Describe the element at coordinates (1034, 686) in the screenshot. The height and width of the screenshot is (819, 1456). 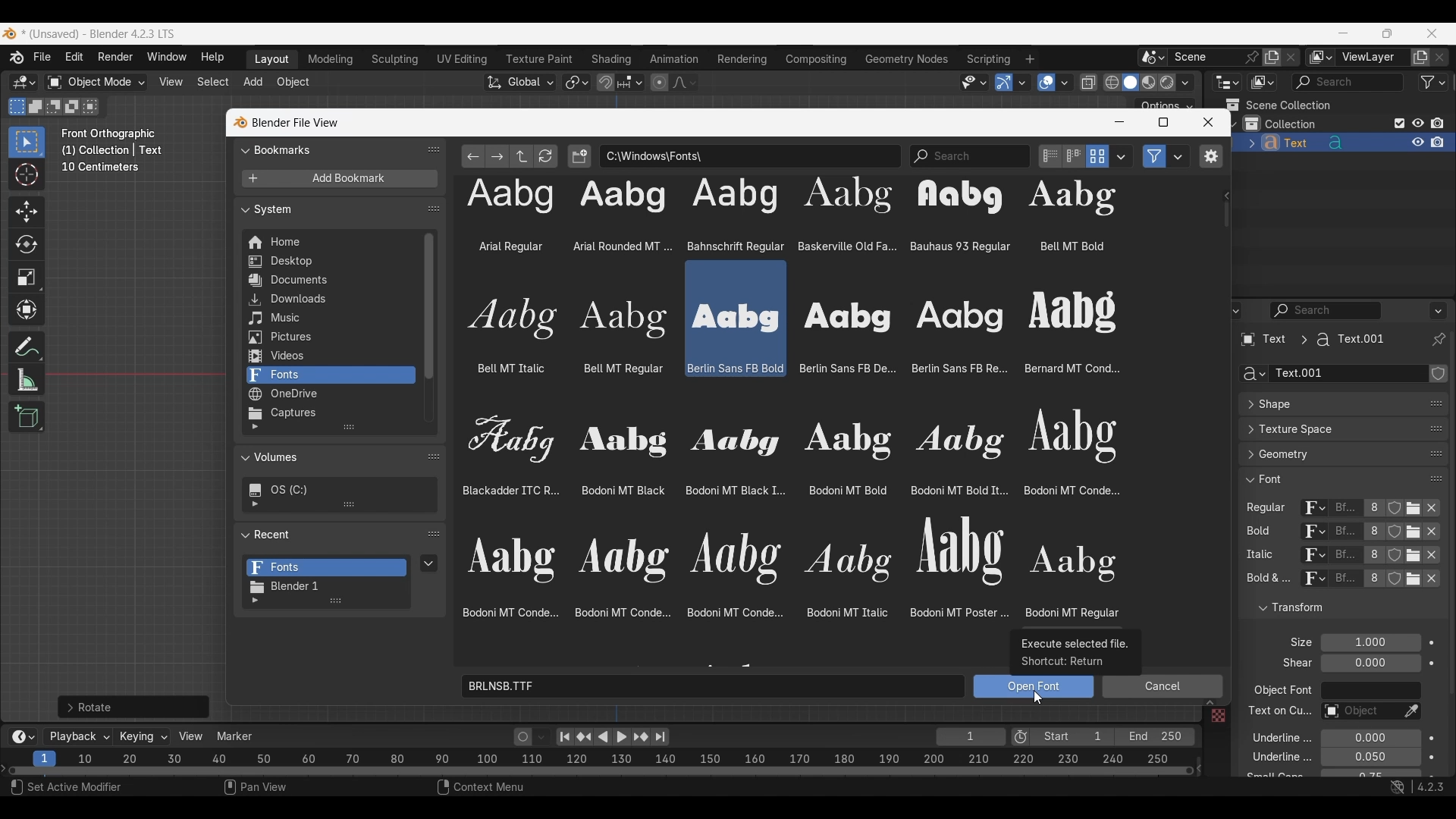
I see `Open selected font in Text object` at that location.